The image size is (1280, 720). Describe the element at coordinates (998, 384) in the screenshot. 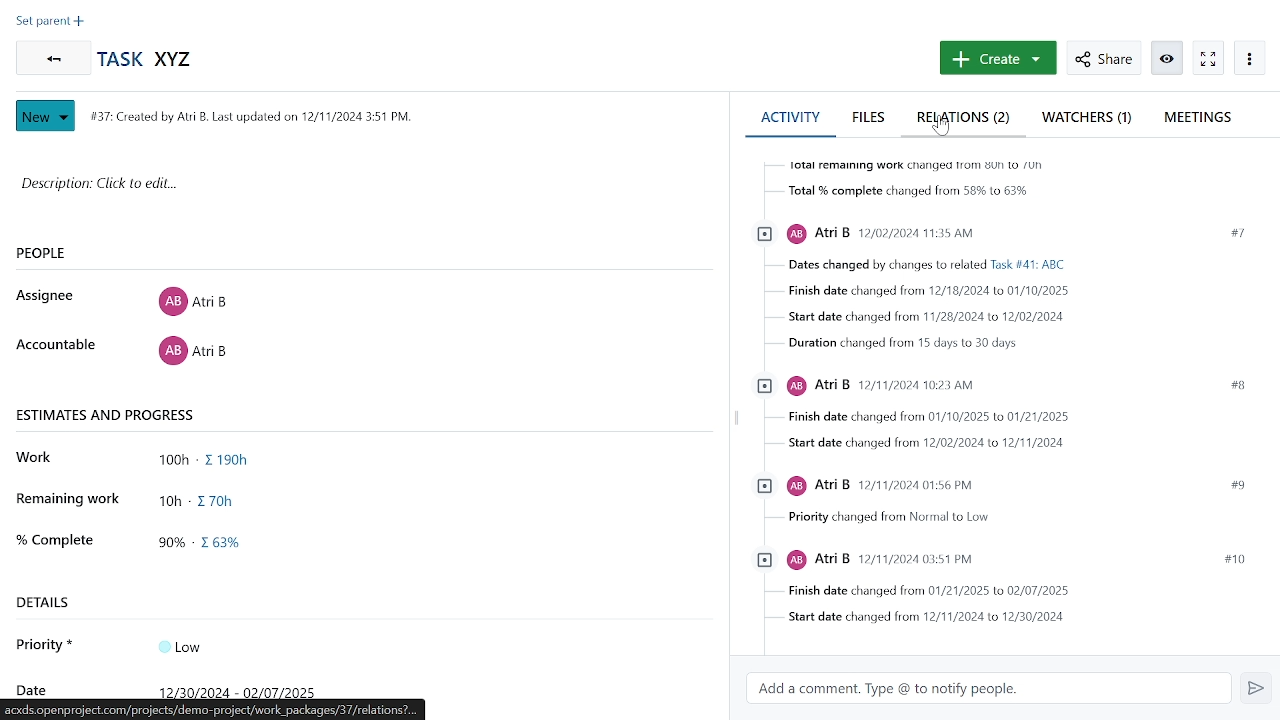

I see `user info: 12/11/2024 10:23 AM   #8` at that location.